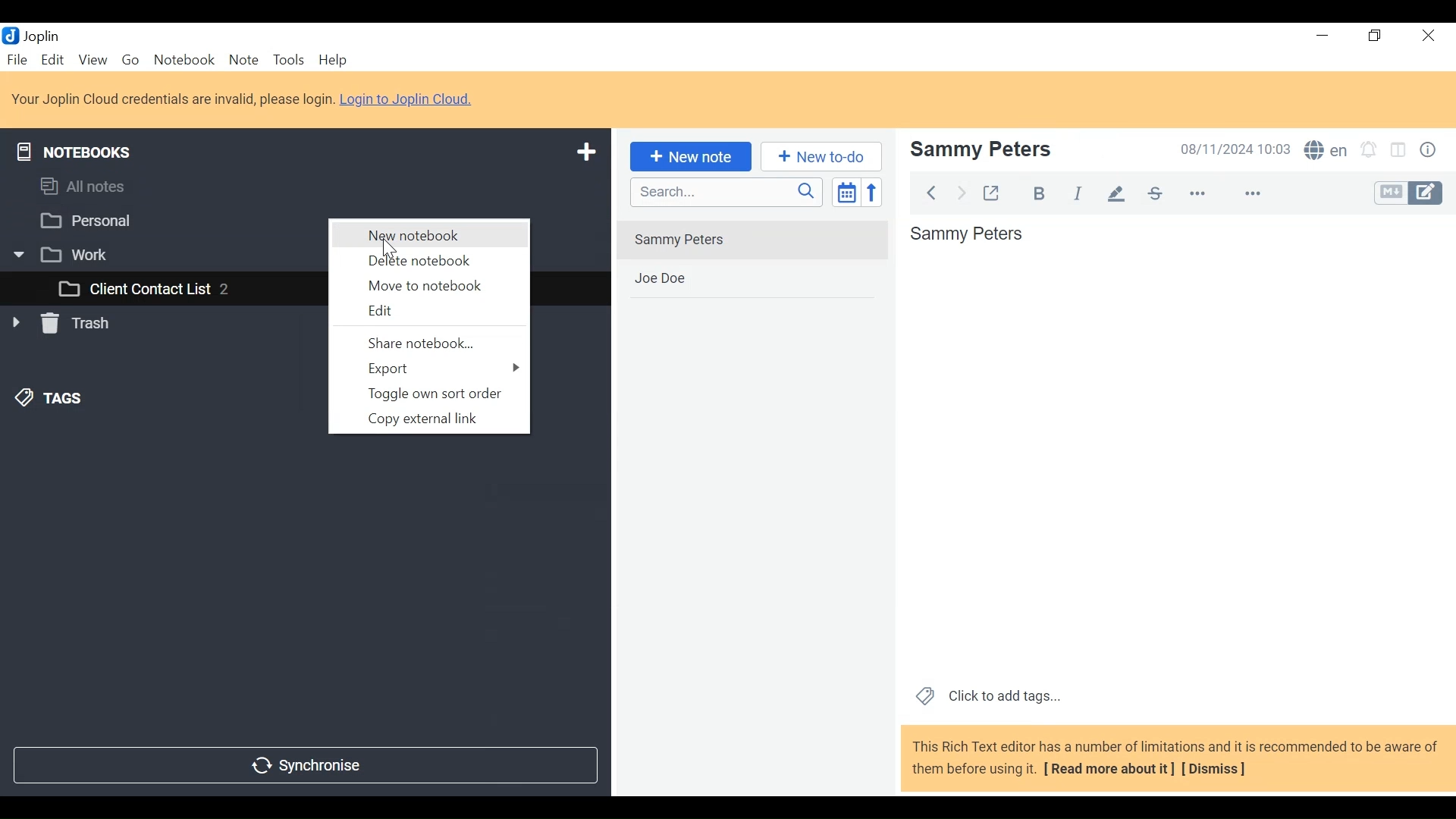 The width and height of the screenshot is (1456, 819). I want to click on Reverse sort order, so click(872, 193).